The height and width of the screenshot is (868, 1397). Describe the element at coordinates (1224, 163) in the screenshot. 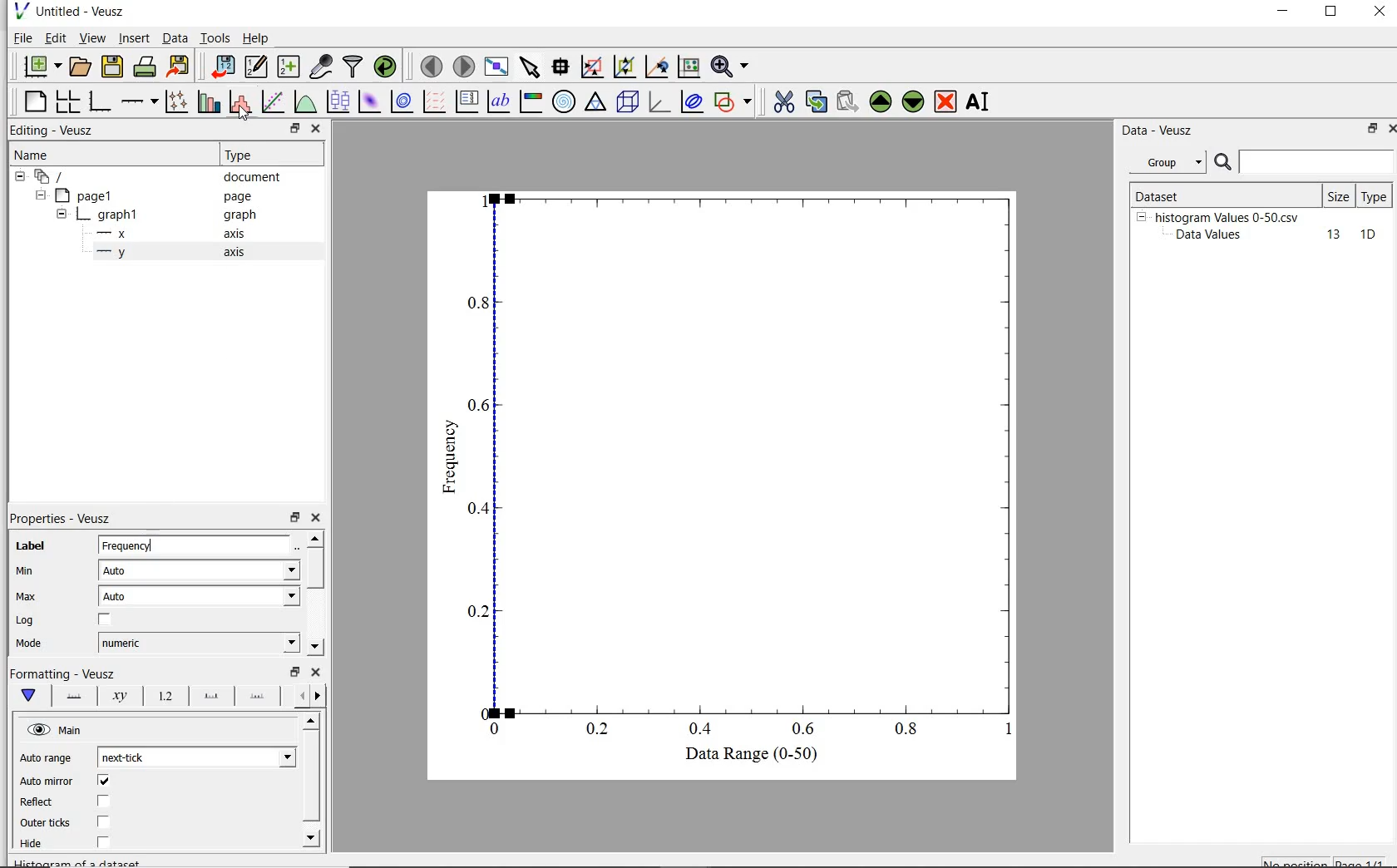

I see `search` at that location.